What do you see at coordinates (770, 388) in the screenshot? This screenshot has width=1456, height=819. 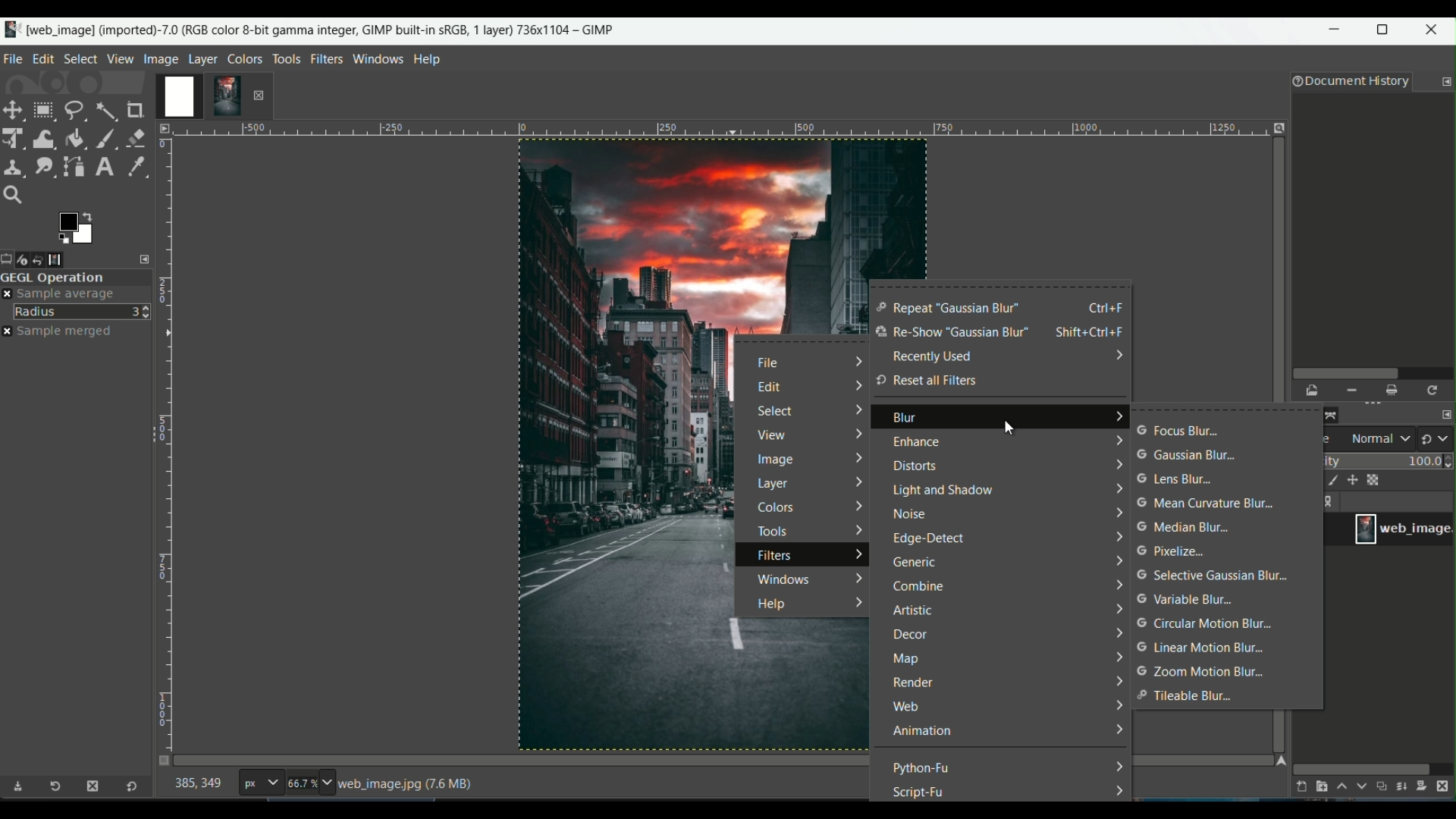 I see `edit` at bounding box center [770, 388].